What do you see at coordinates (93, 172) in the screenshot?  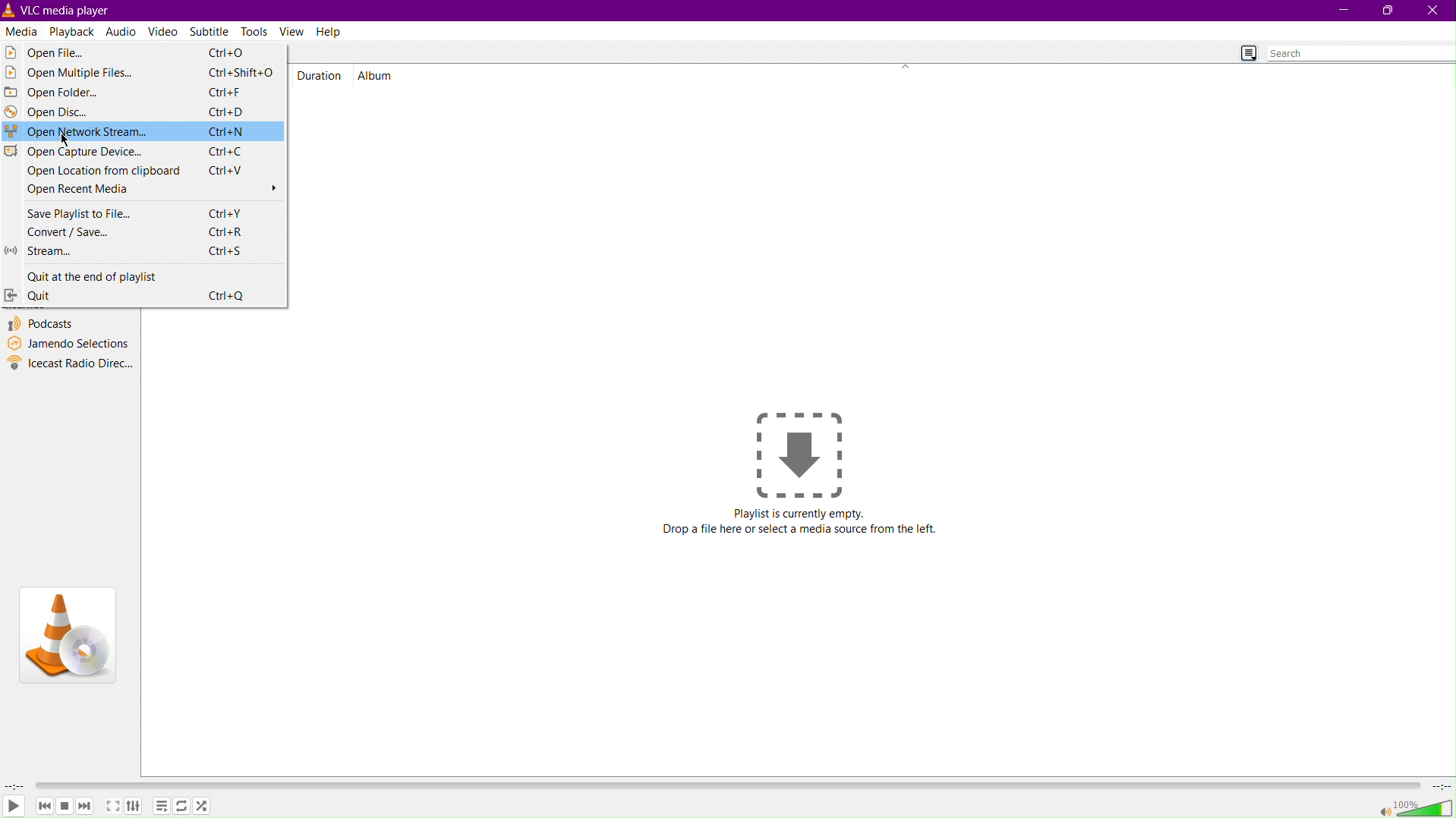 I see `Open Location from clipboard` at bounding box center [93, 172].